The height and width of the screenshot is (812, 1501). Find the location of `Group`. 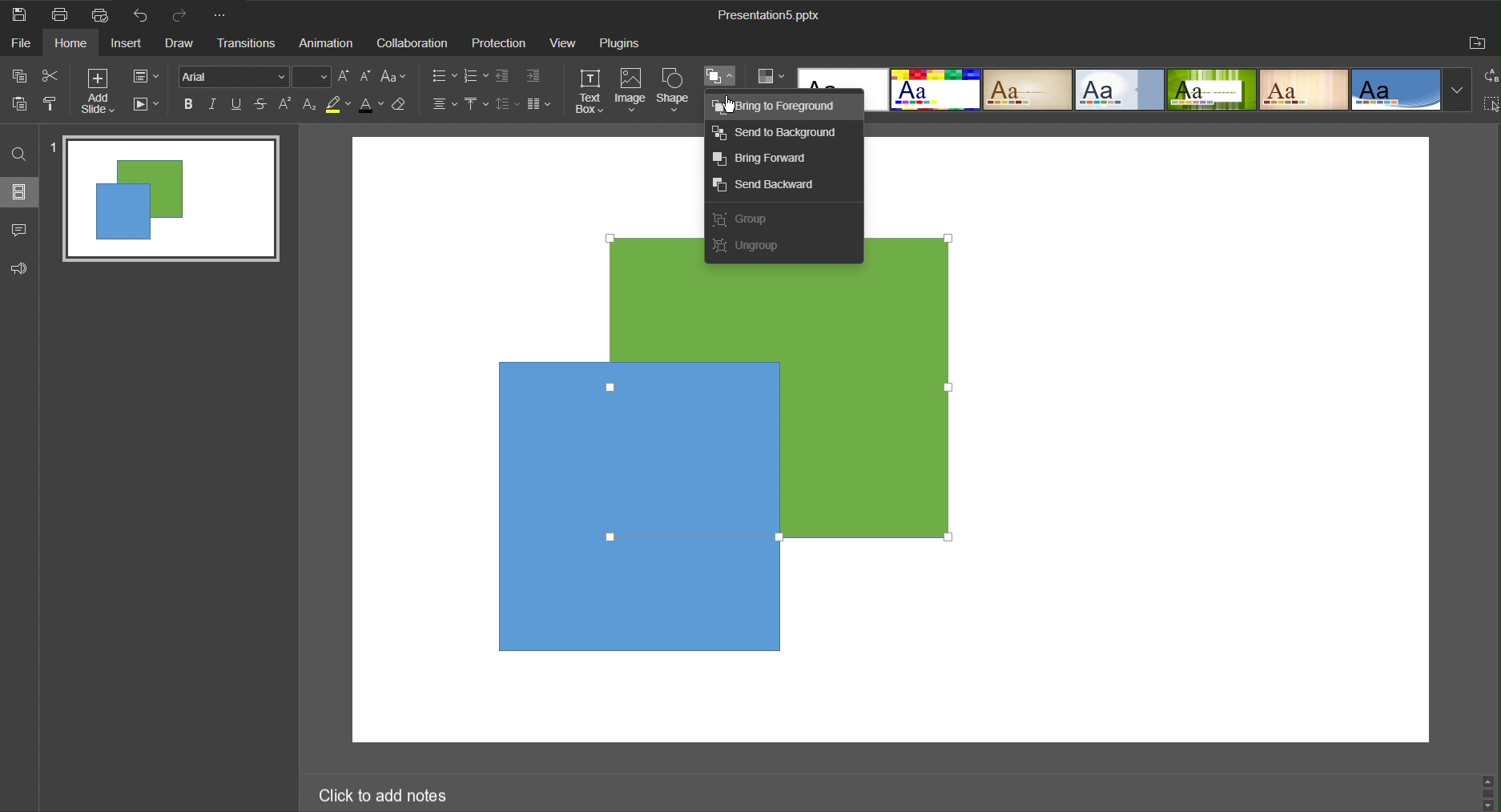

Group is located at coordinates (745, 222).